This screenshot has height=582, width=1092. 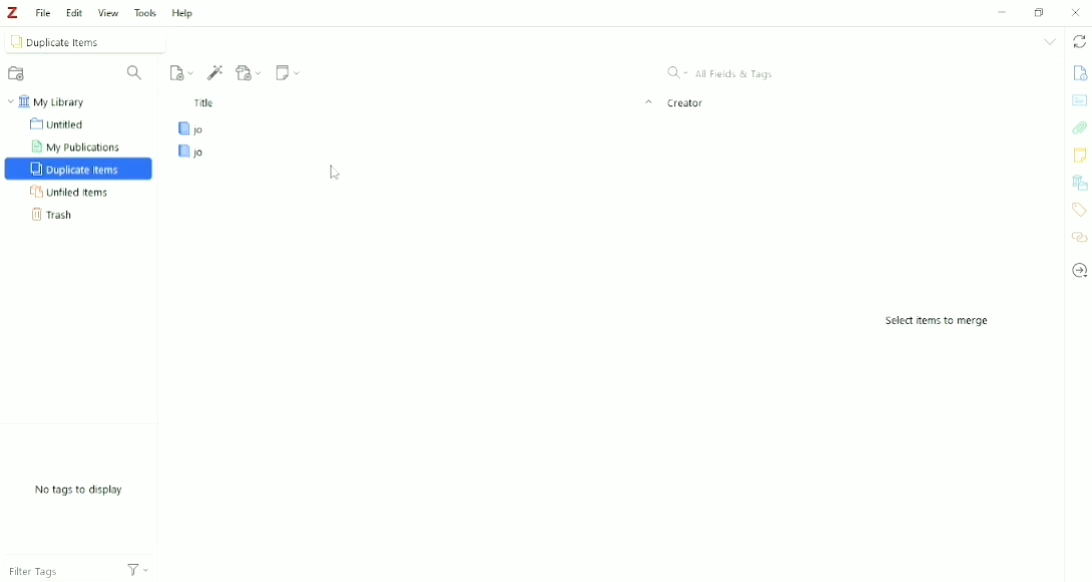 What do you see at coordinates (216, 73) in the screenshot?
I see `Add Item (s) by Identifier` at bounding box center [216, 73].